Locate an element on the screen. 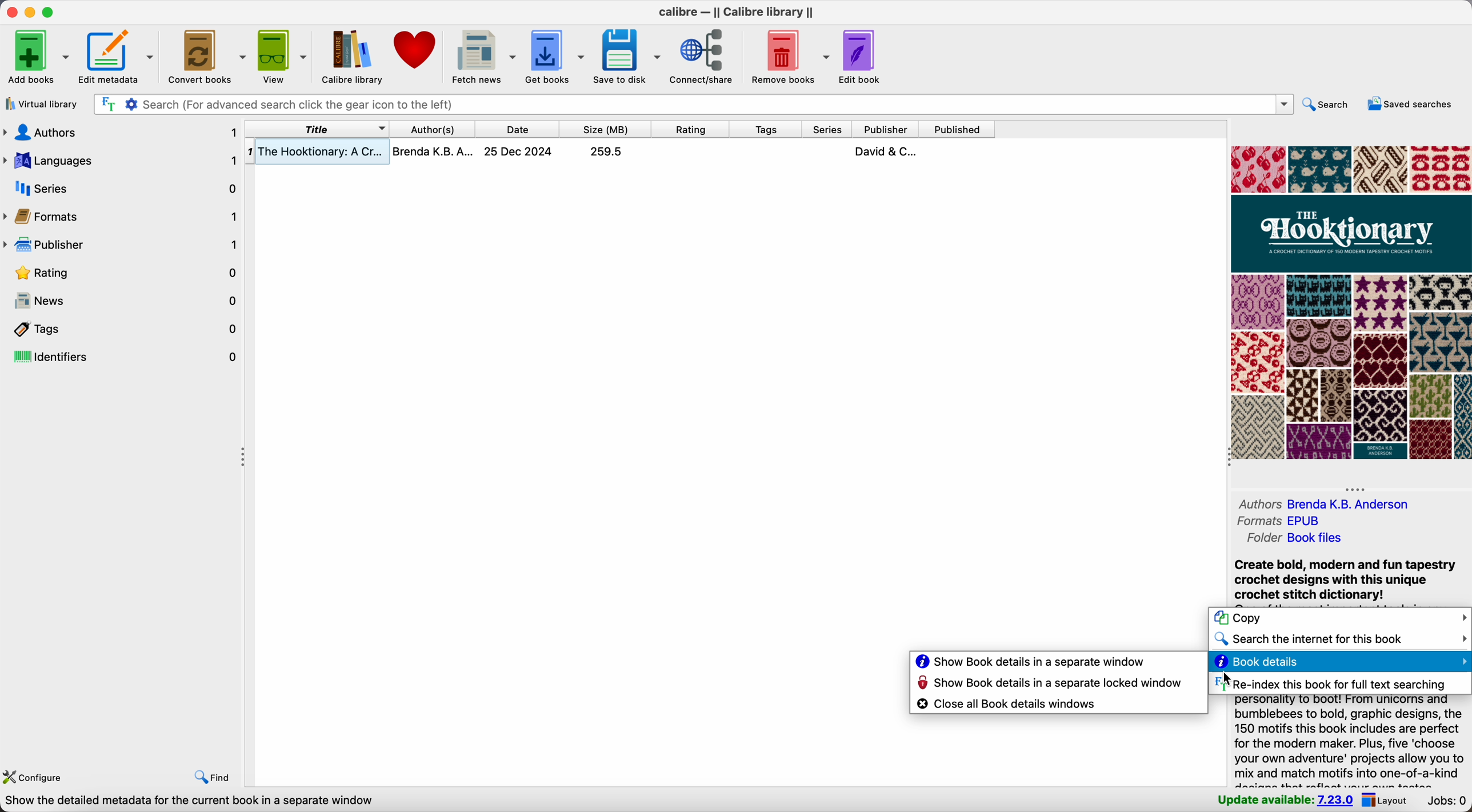  close all book details window is located at coordinates (1009, 704).